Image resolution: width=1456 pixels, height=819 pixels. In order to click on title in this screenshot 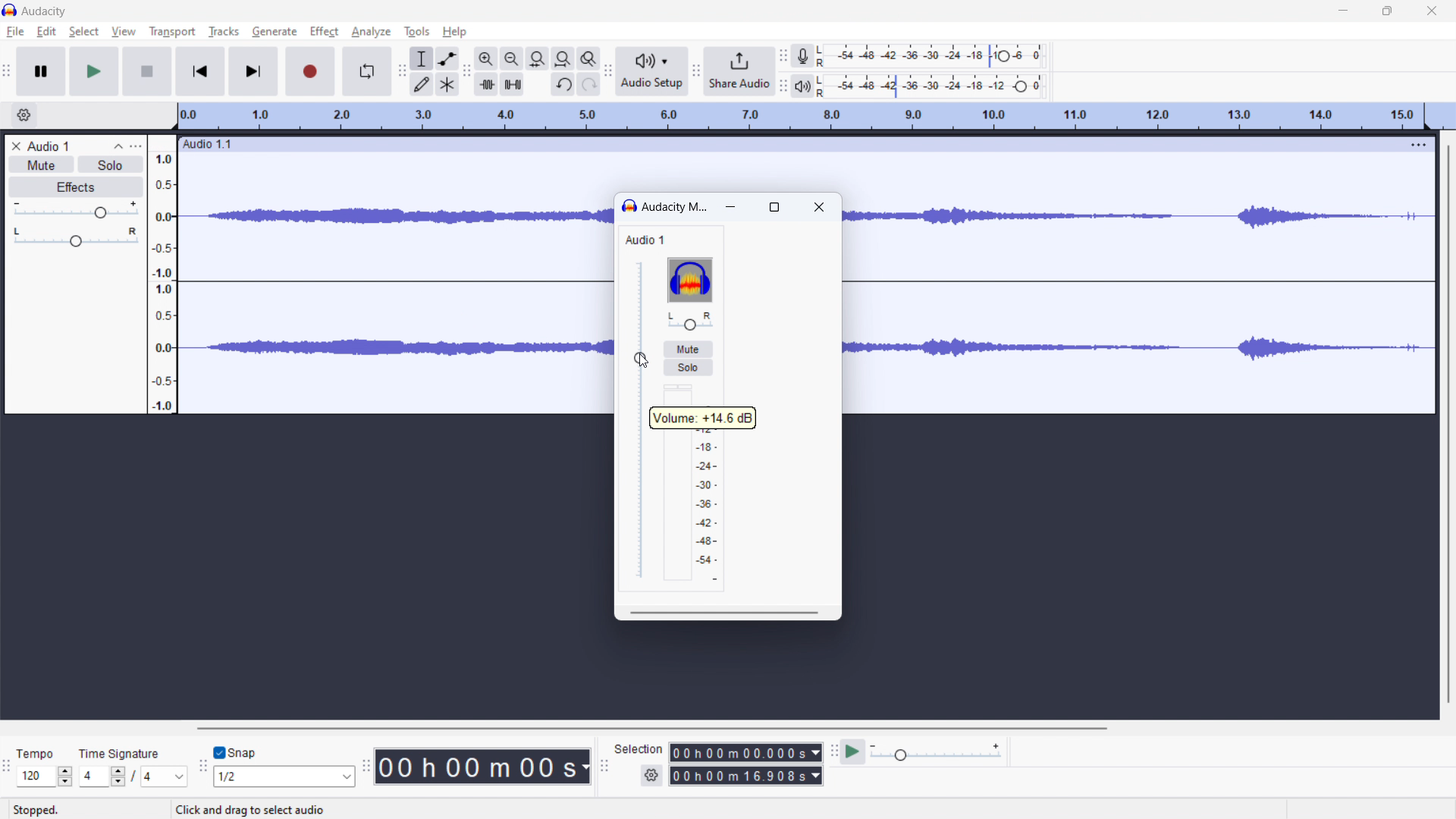, I will do `click(45, 11)`.